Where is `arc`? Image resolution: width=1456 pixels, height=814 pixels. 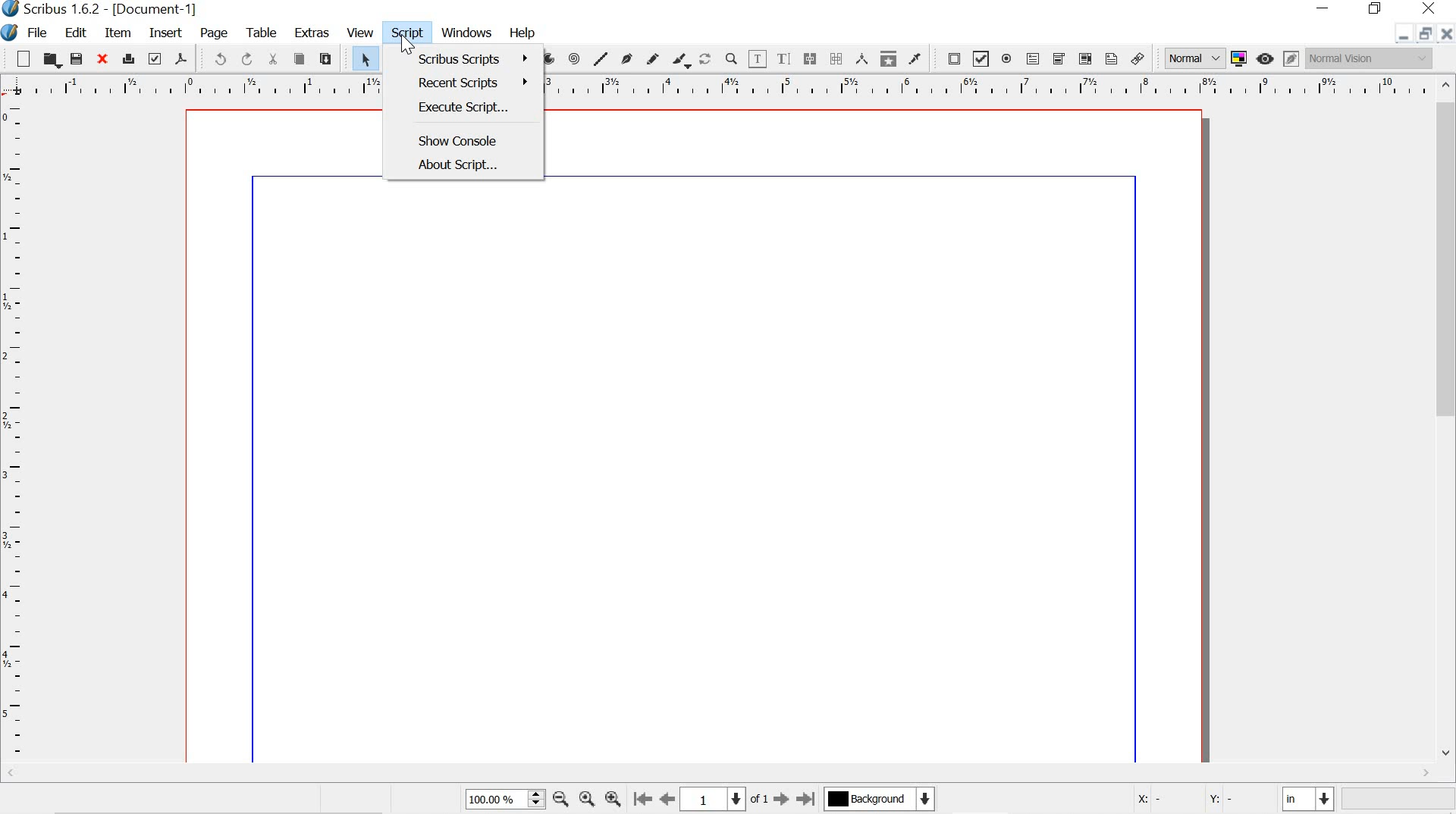
arc is located at coordinates (551, 58).